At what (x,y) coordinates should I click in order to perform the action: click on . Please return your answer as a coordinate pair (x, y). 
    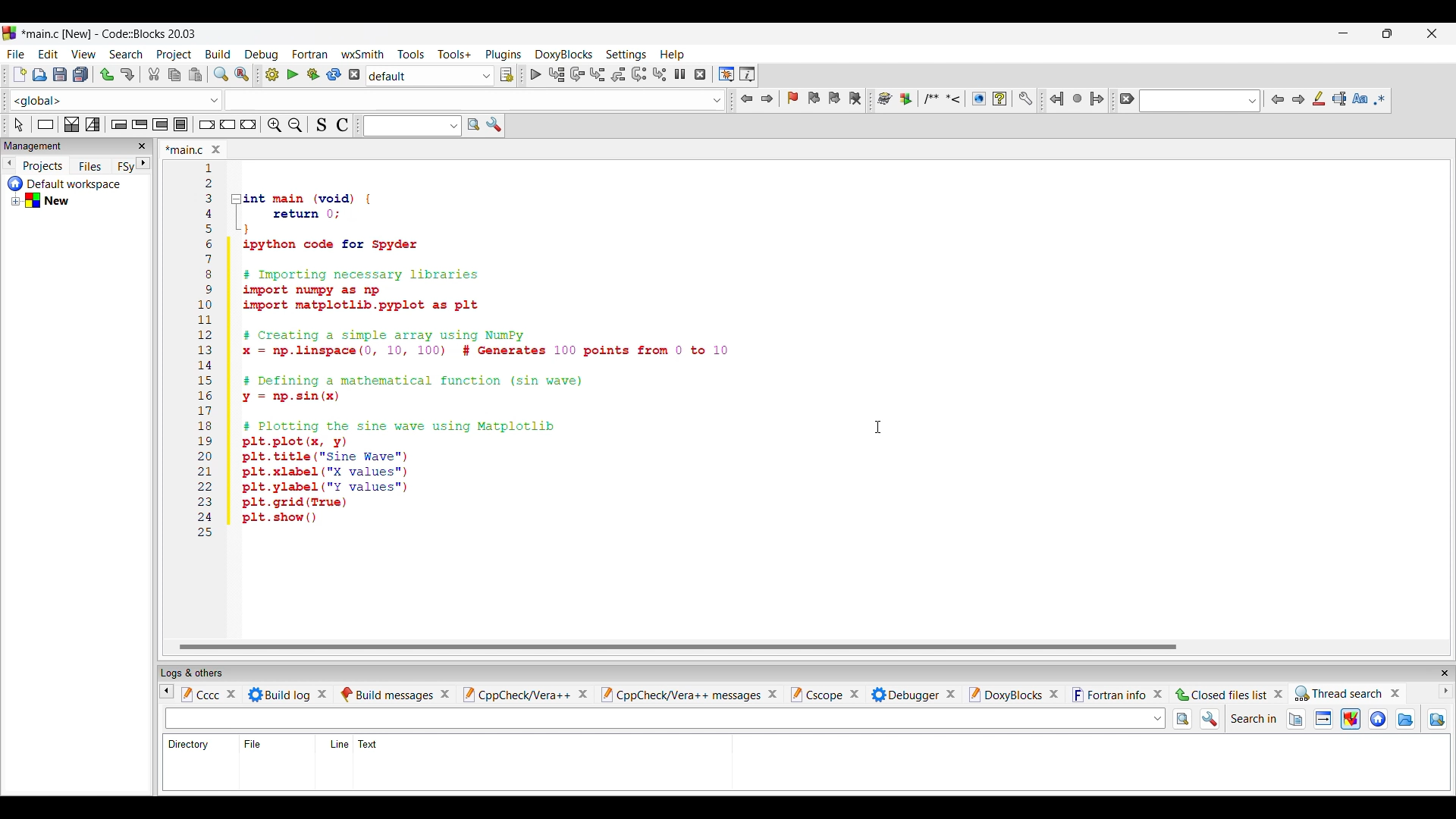
    Looking at the image, I should click on (188, 743).